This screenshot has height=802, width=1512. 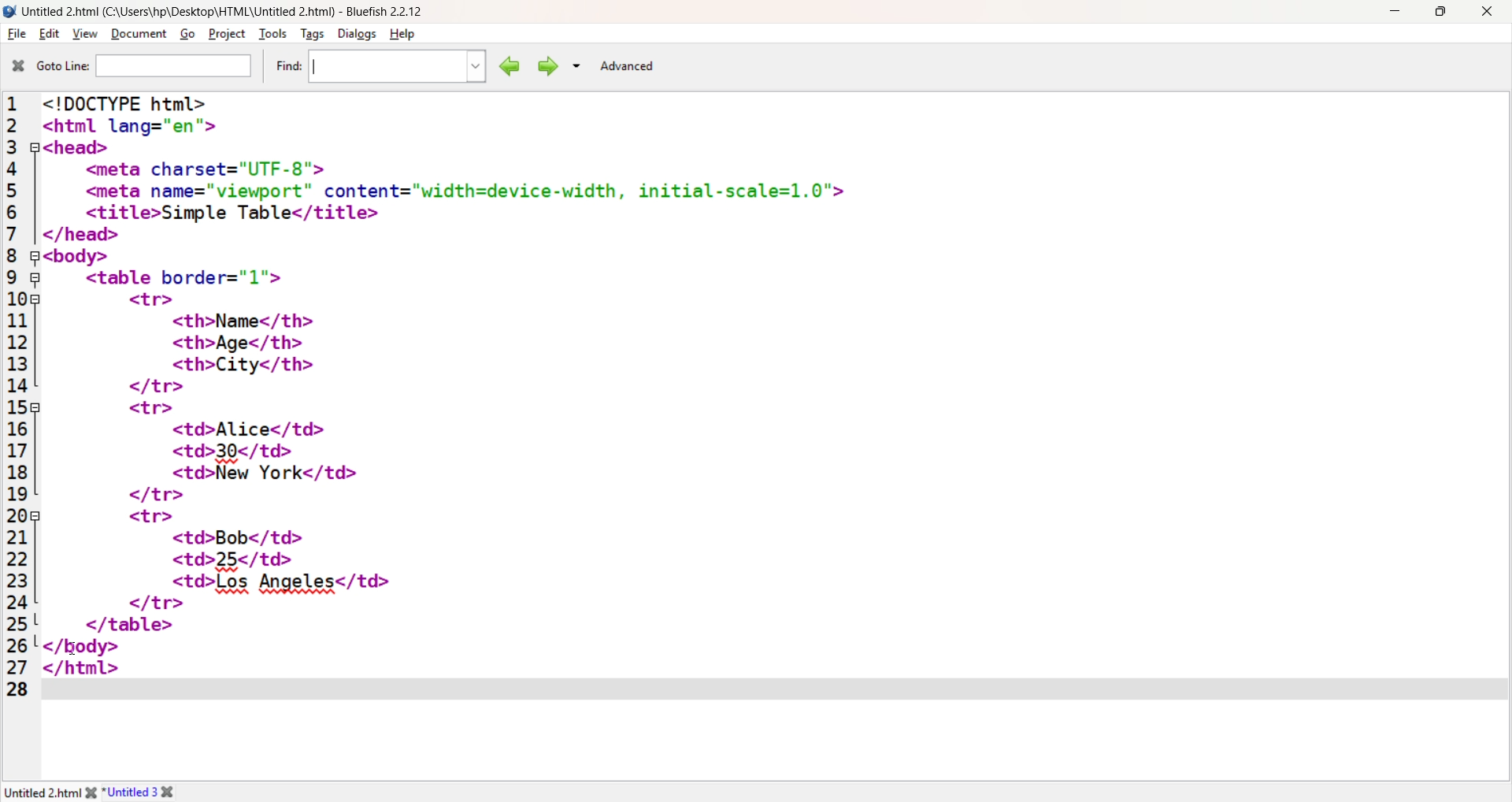 I want to click on Project, so click(x=225, y=33).